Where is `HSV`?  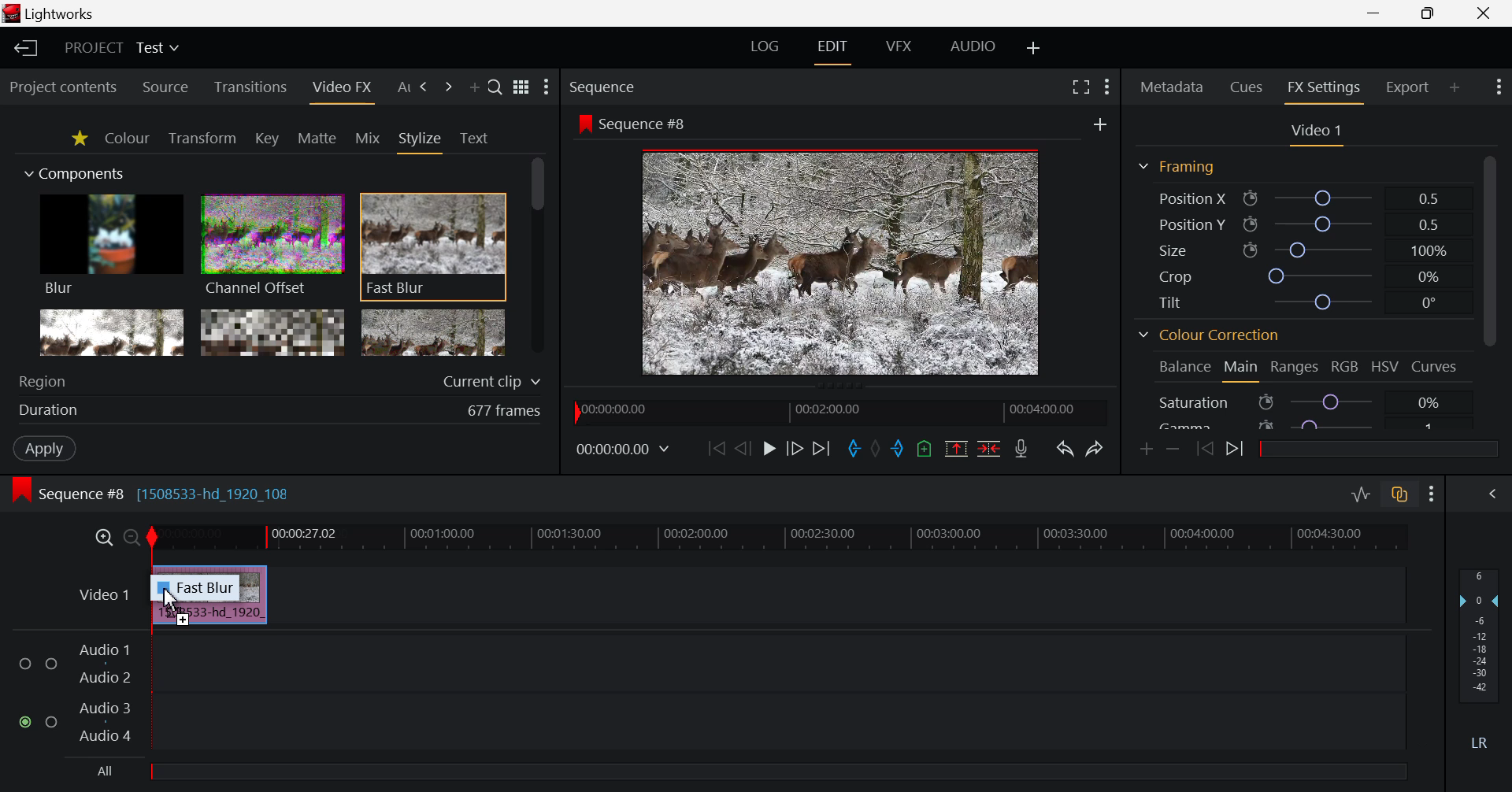
HSV is located at coordinates (1384, 367).